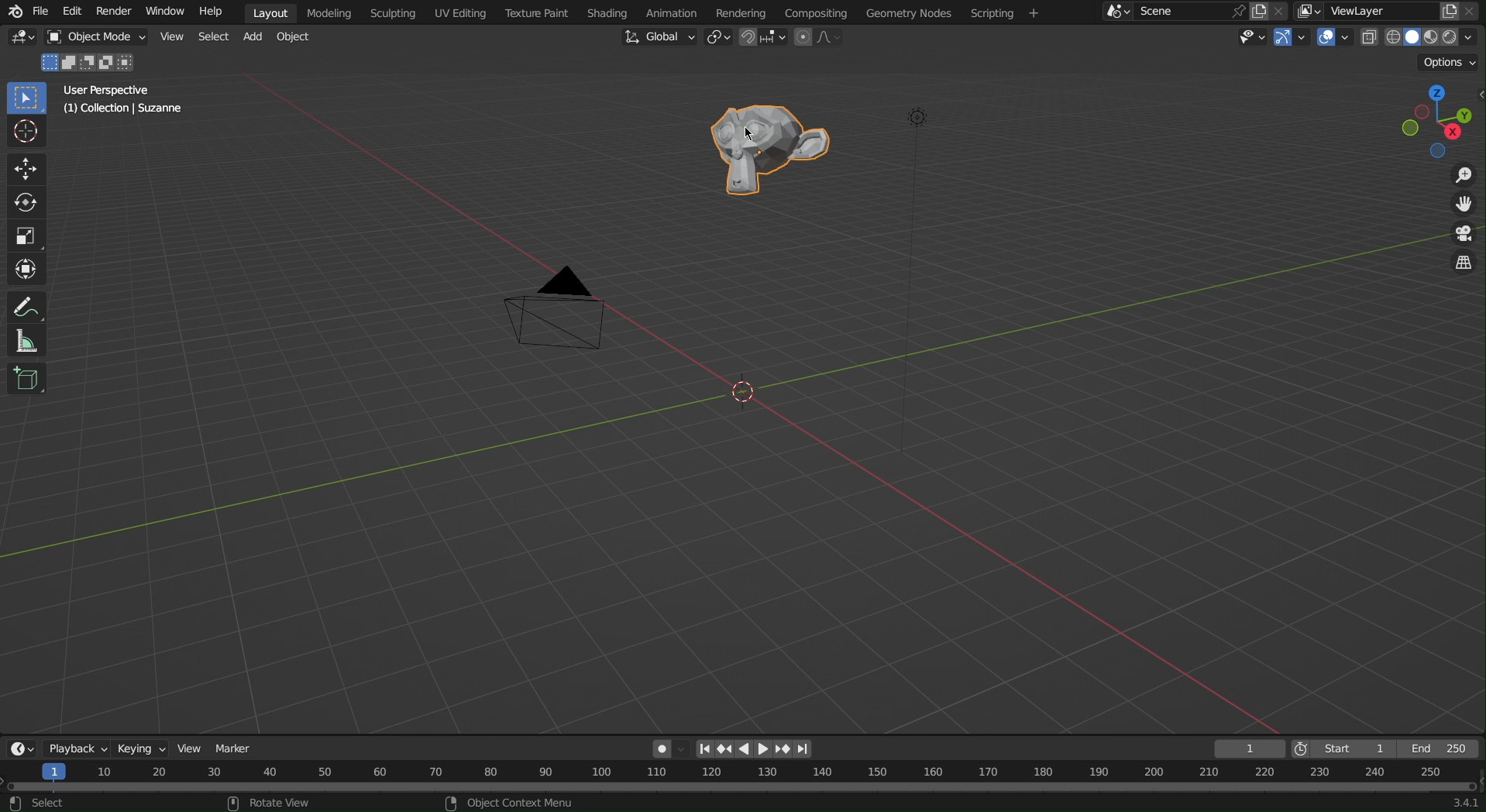  I want to click on Overlays, so click(1335, 39).